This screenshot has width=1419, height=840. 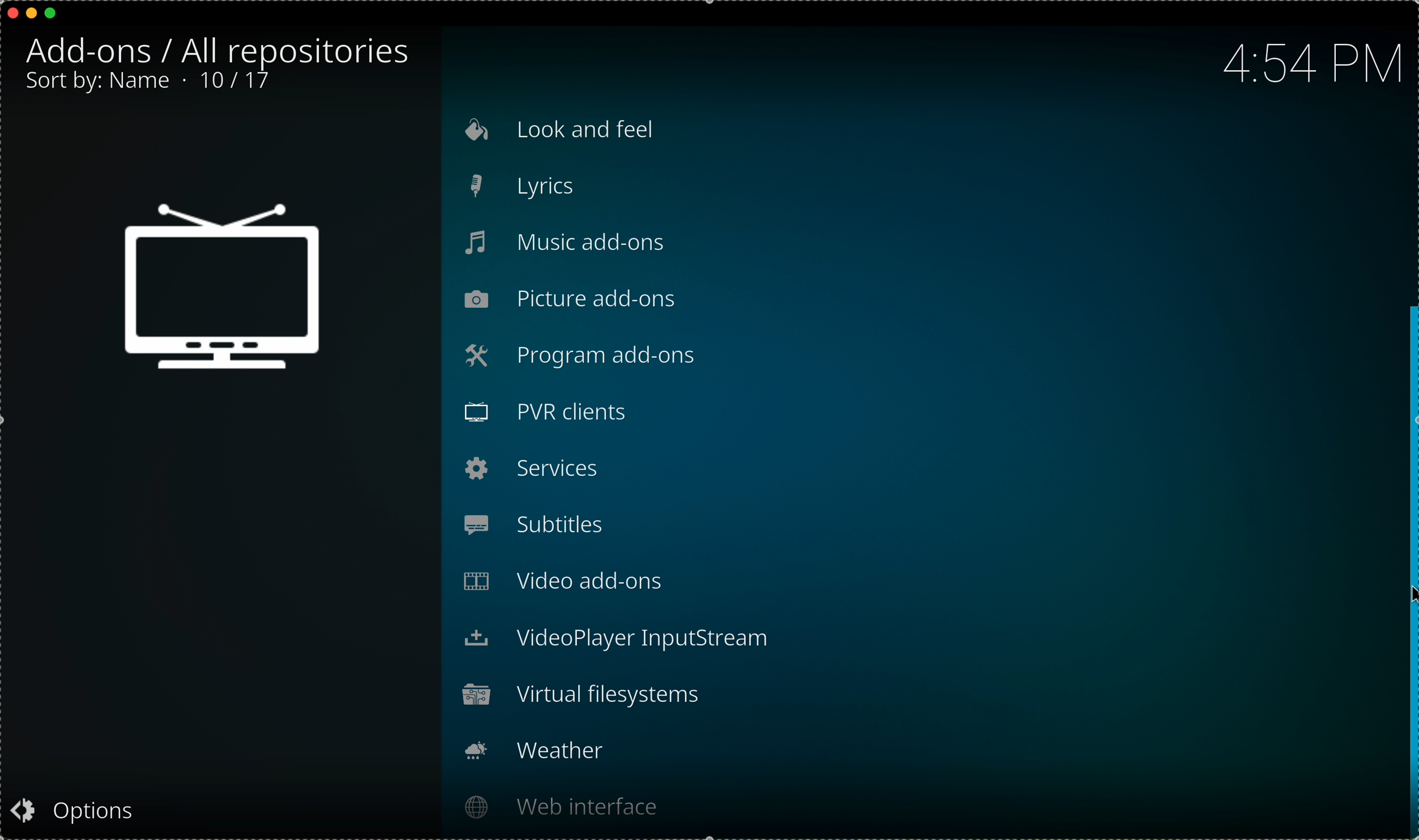 What do you see at coordinates (583, 696) in the screenshot?
I see `virtual filesystems` at bounding box center [583, 696].